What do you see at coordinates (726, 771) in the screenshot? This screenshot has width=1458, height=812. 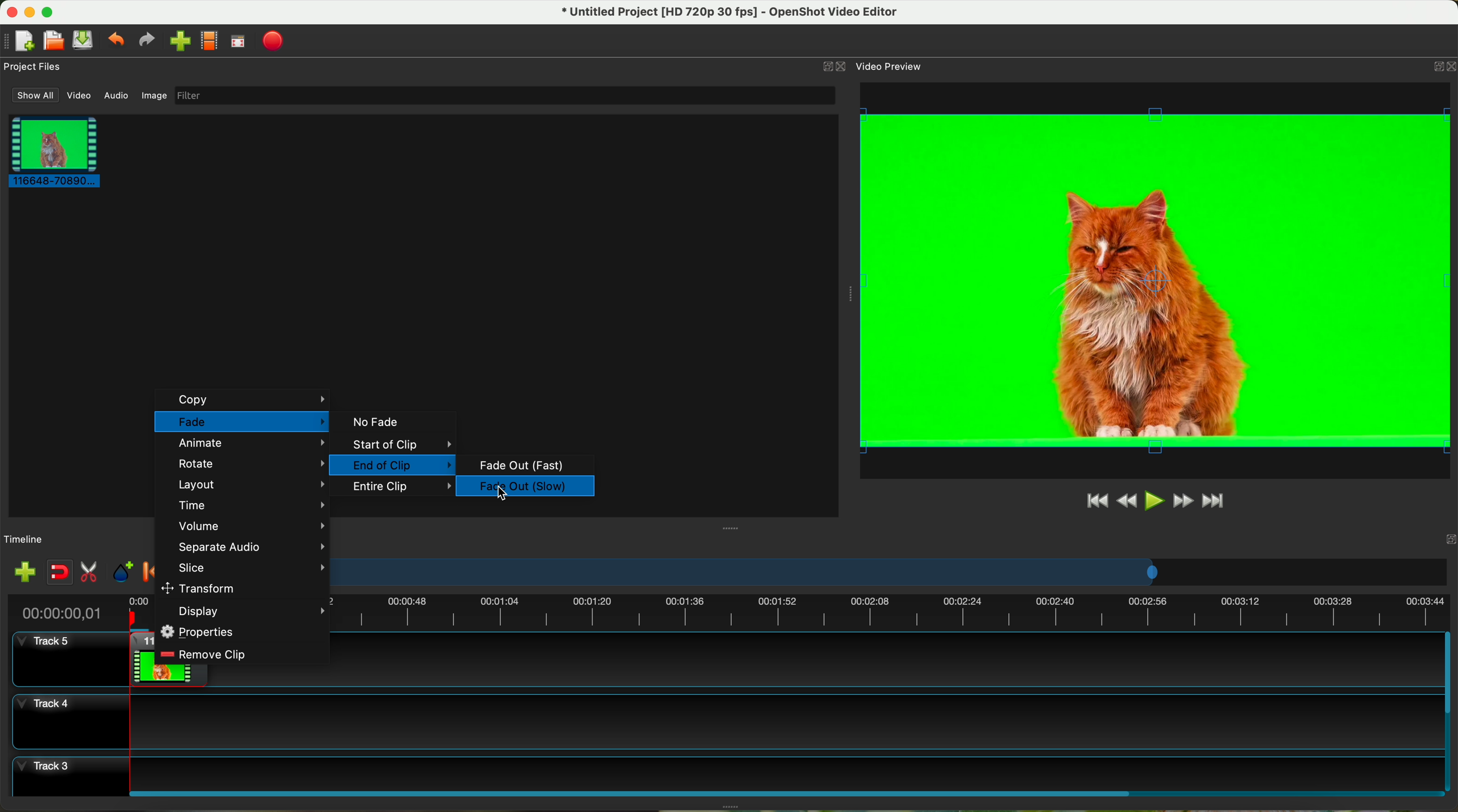 I see `track 3` at bounding box center [726, 771].